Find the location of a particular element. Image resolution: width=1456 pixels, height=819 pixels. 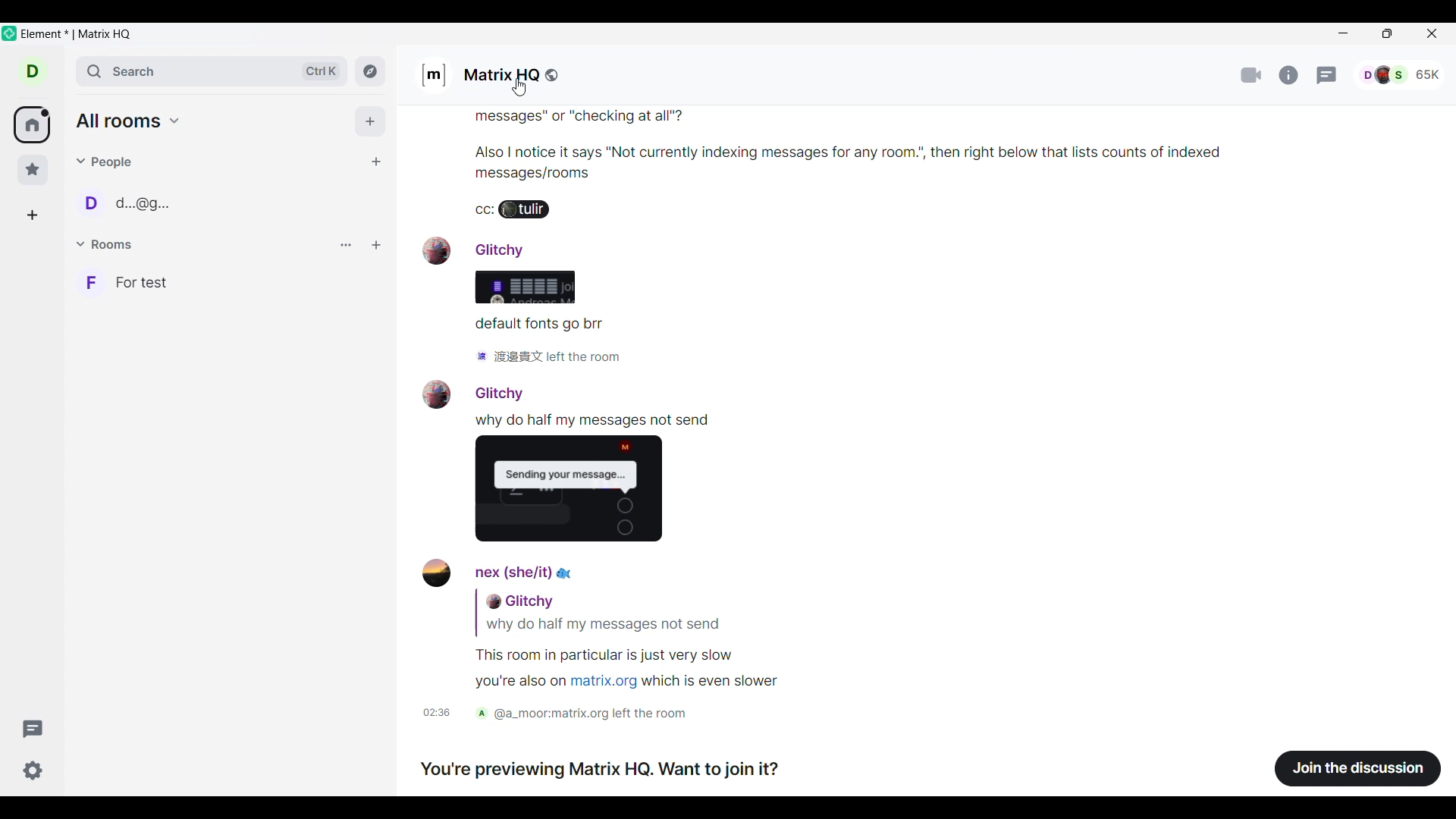

02:36 @a_moor.matrix.org left the room is located at coordinates (570, 715).